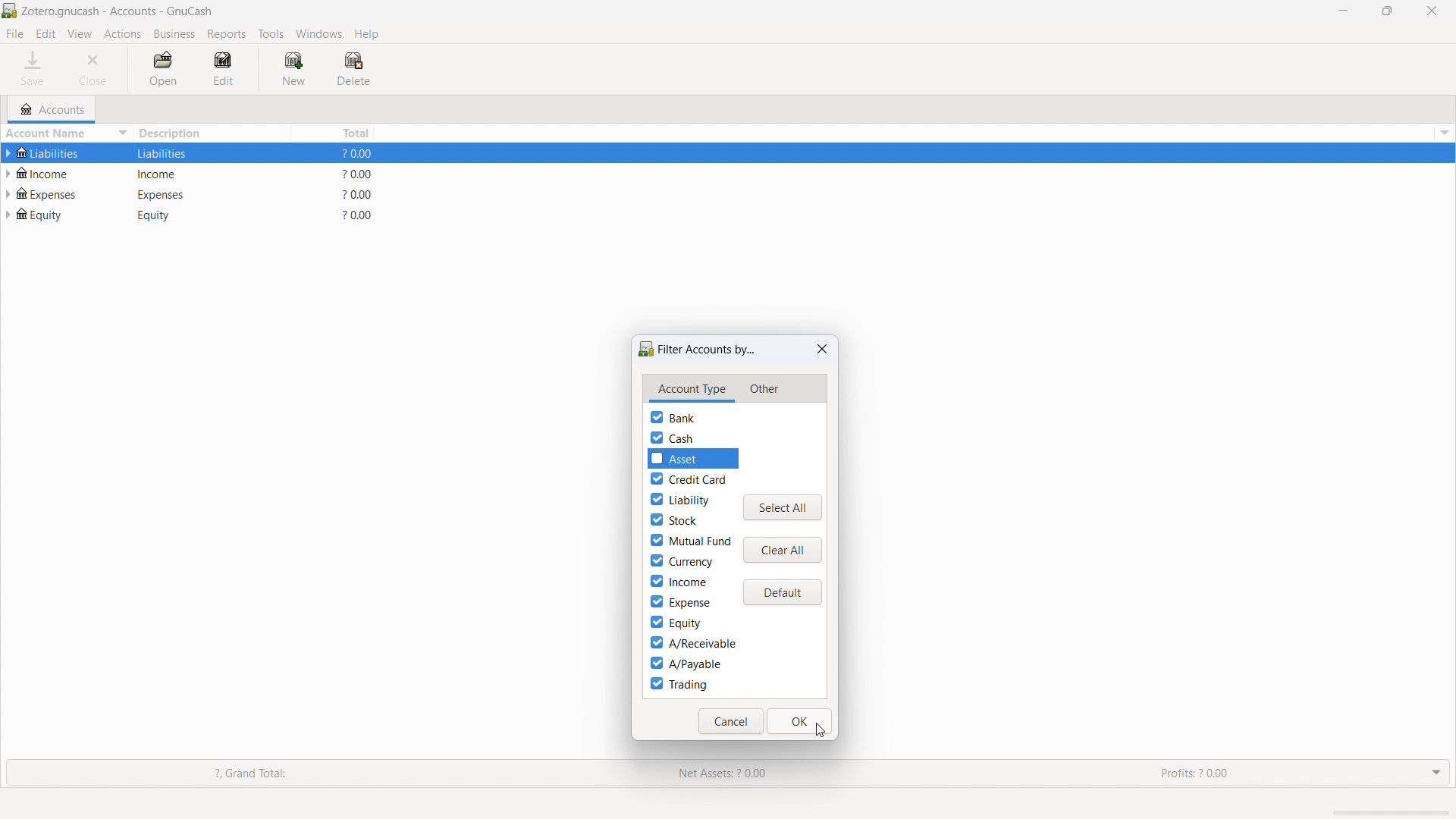 The width and height of the screenshot is (1456, 819). What do you see at coordinates (692, 389) in the screenshot?
I see `account type` at bounding box center [692, 389].